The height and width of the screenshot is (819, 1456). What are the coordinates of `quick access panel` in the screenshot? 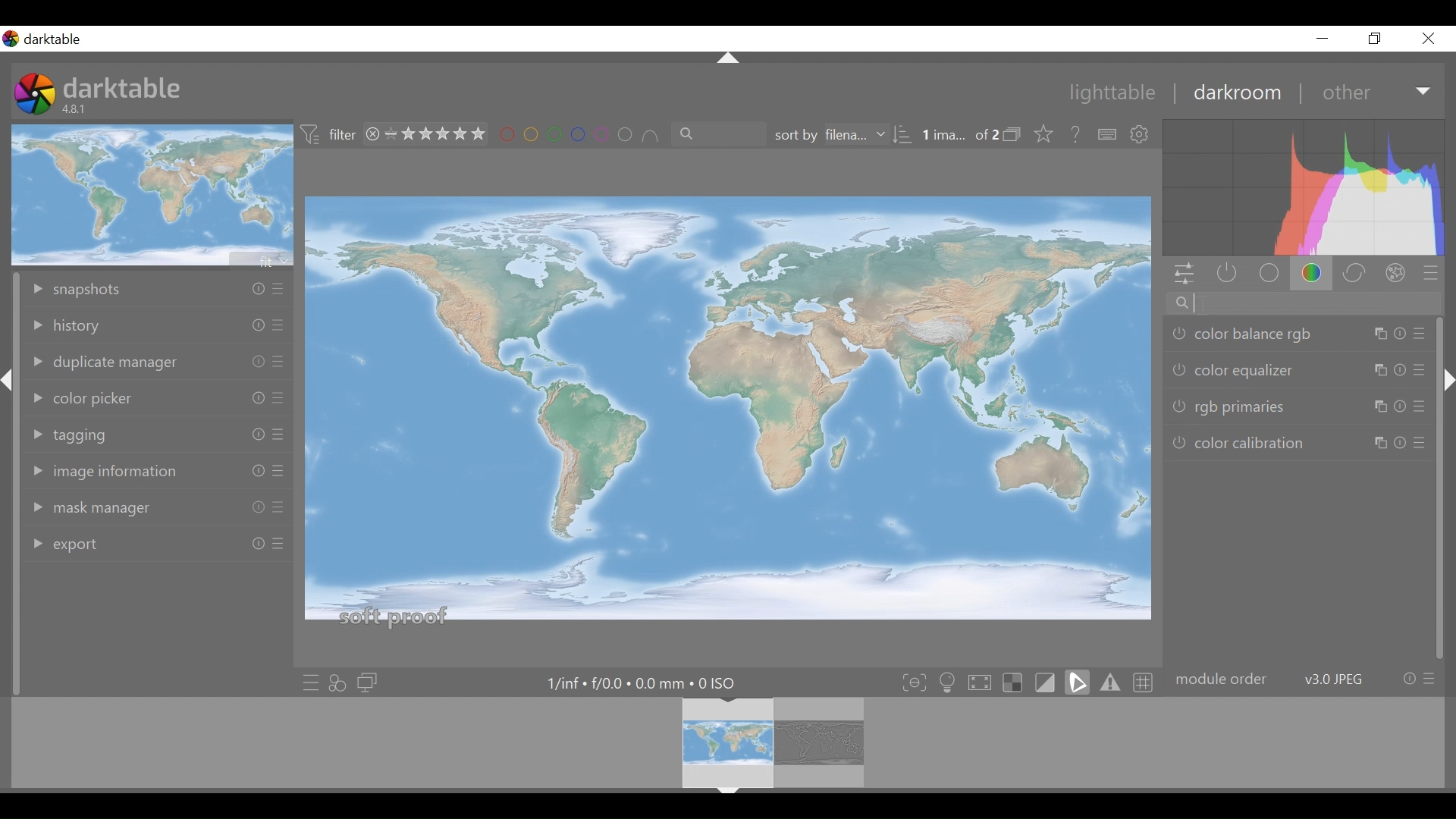 It's located at (1184, 275).